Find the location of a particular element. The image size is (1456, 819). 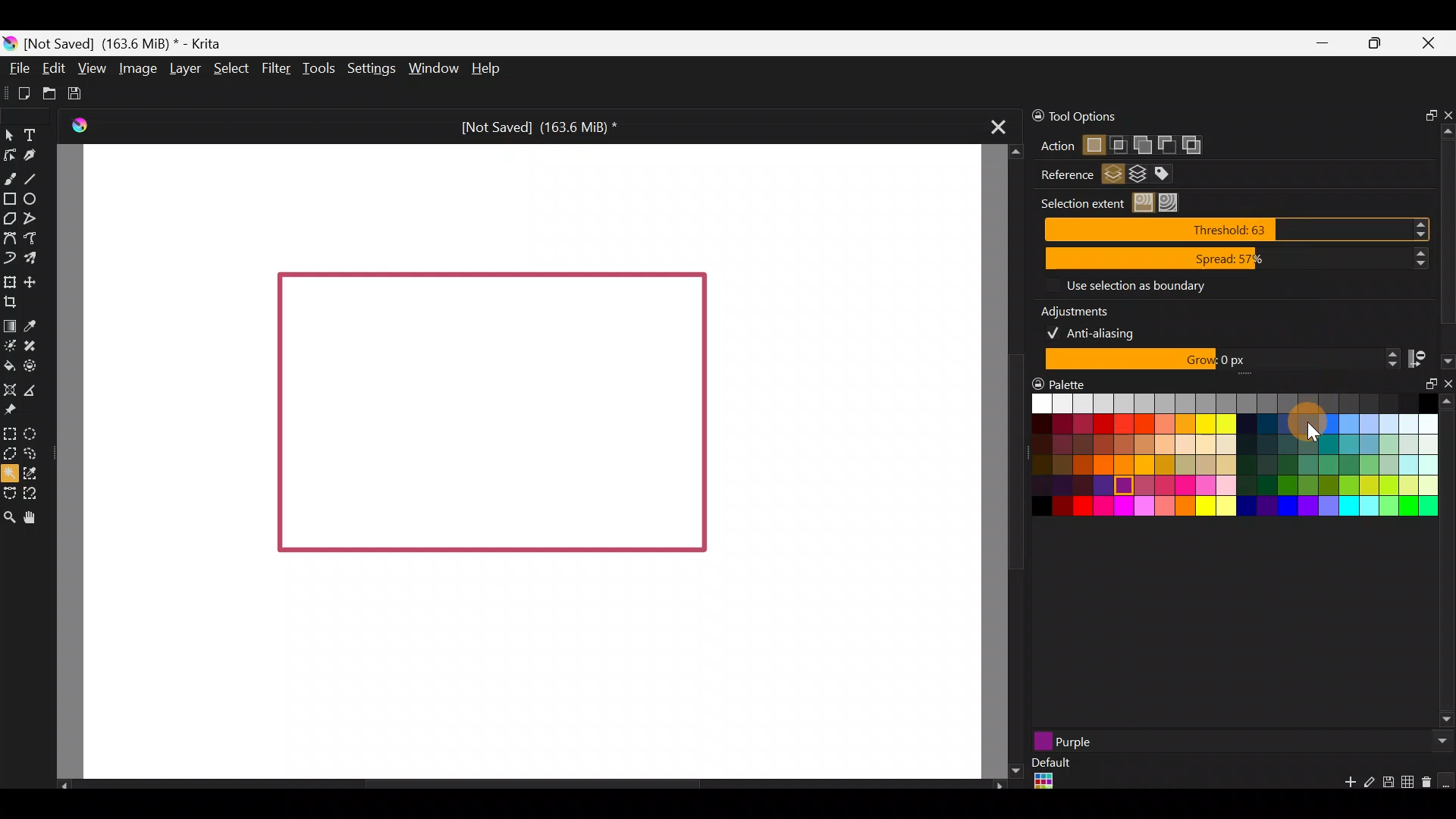

Grow is located at coordinates (1219, 360).